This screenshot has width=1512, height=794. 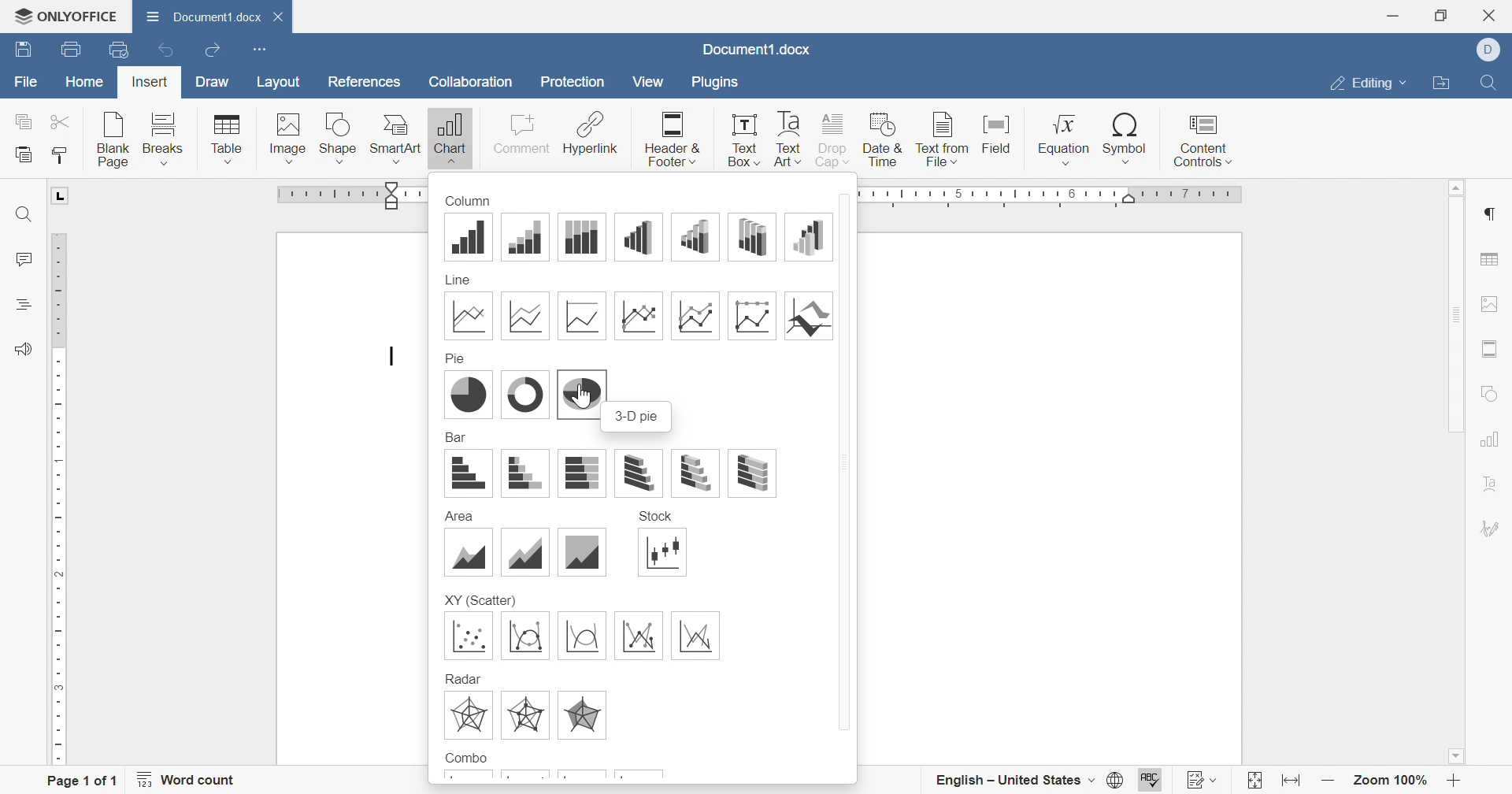 What do you see at coordinates (113, 136) in the screenshot?
I see `Blank Page` at bounding box center [113, 136].